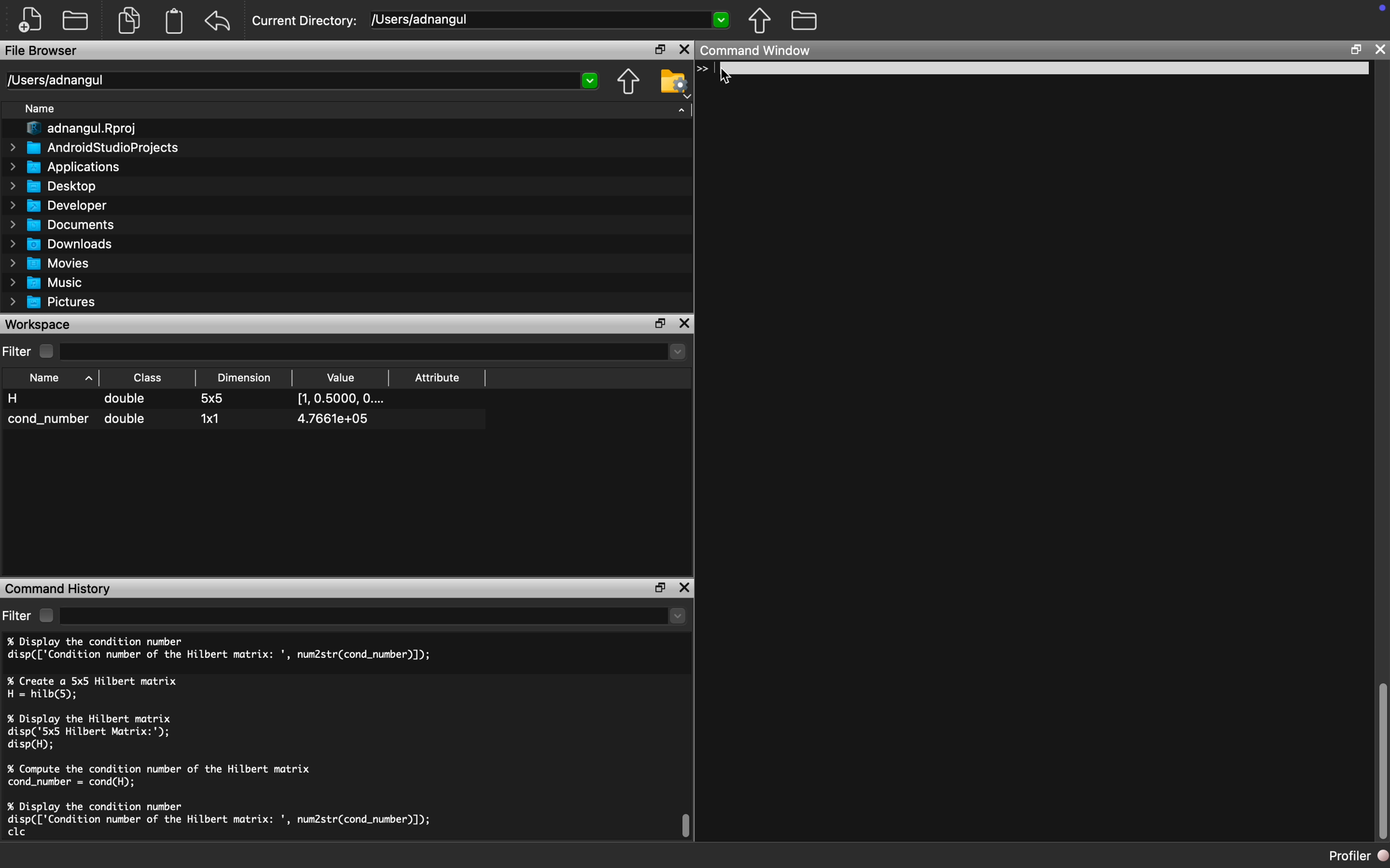 This screenshot has width=1390, height=868. Describe the element at coordinates (441, 377) in the screenshot. I see `Attribute` at that location.